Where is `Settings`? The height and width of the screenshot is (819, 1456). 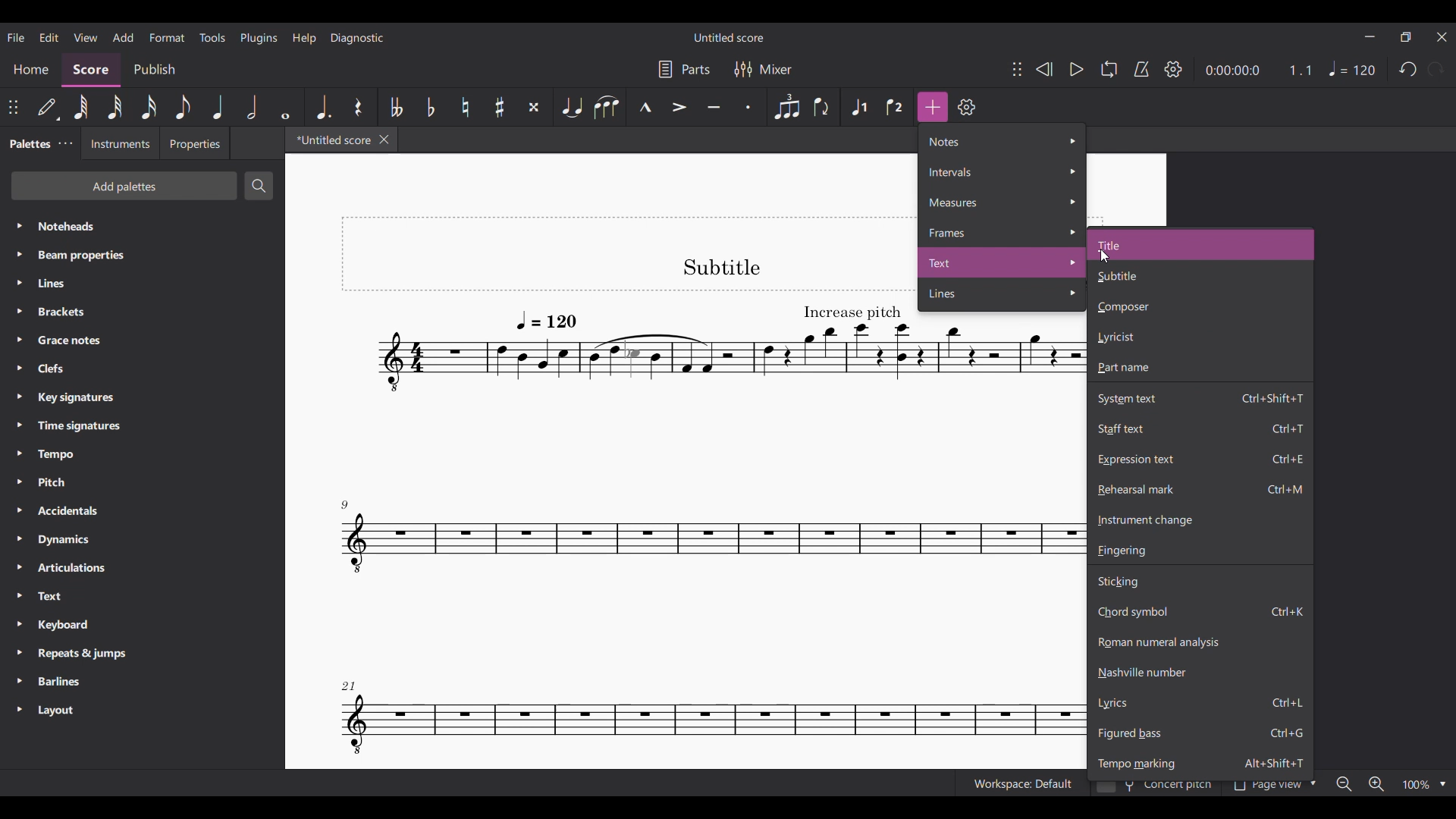
Settings is located at coordinates (1173, 68).